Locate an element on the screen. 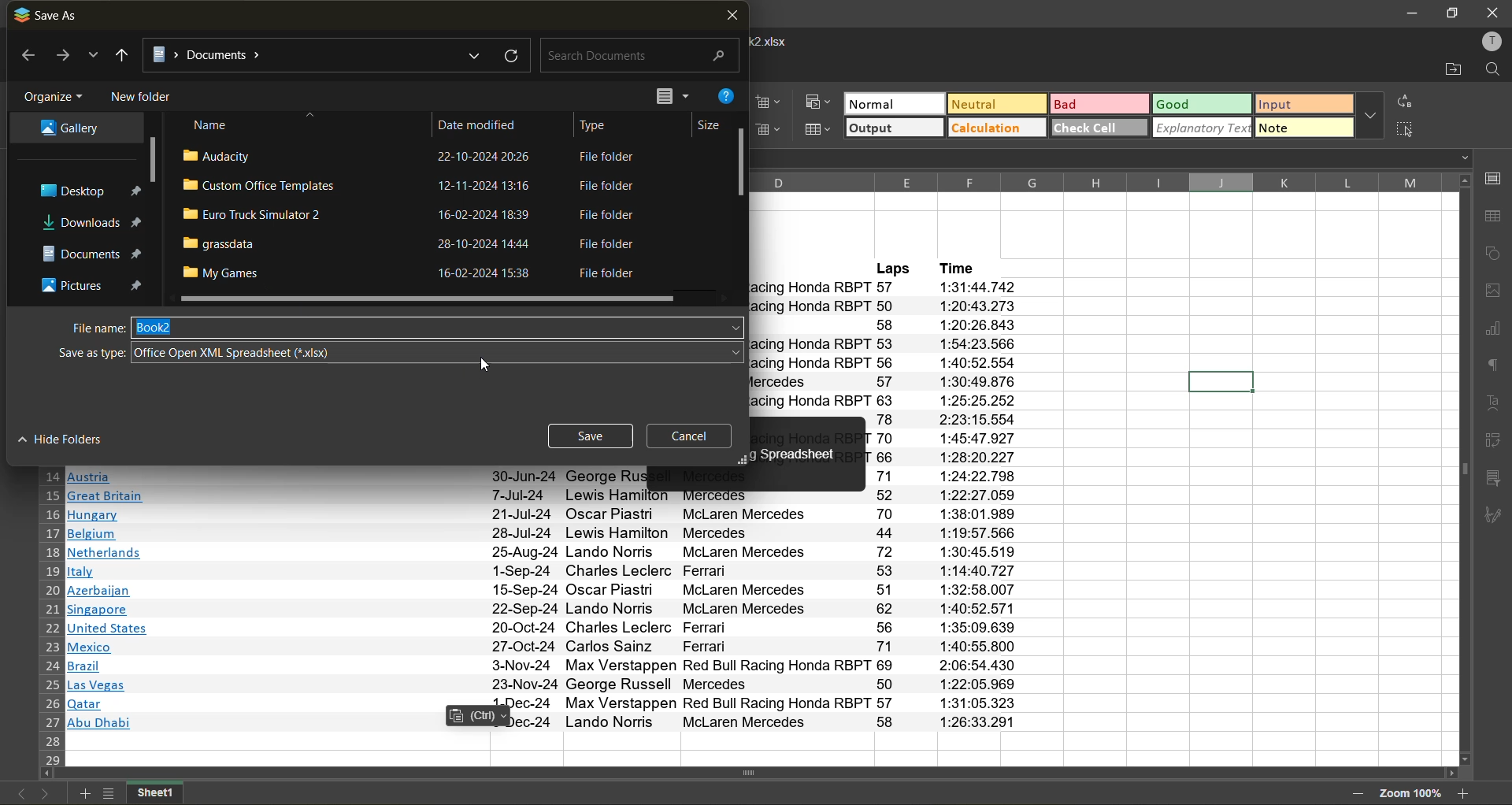  text info is located at coordinates (545, 476).